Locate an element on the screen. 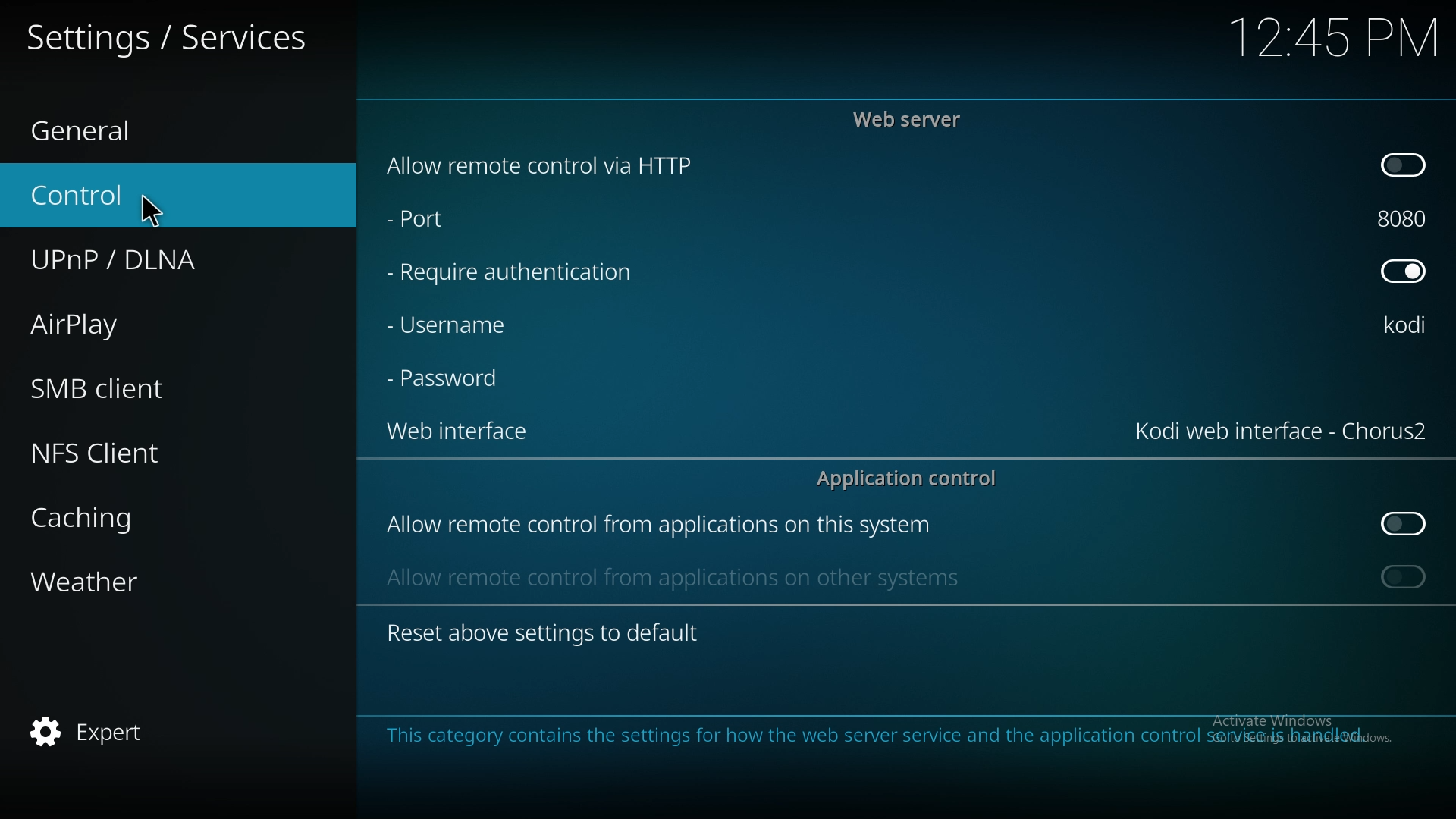 The width and height of the screenshot is (1456, 819). port is located at coordinates (426, 215).